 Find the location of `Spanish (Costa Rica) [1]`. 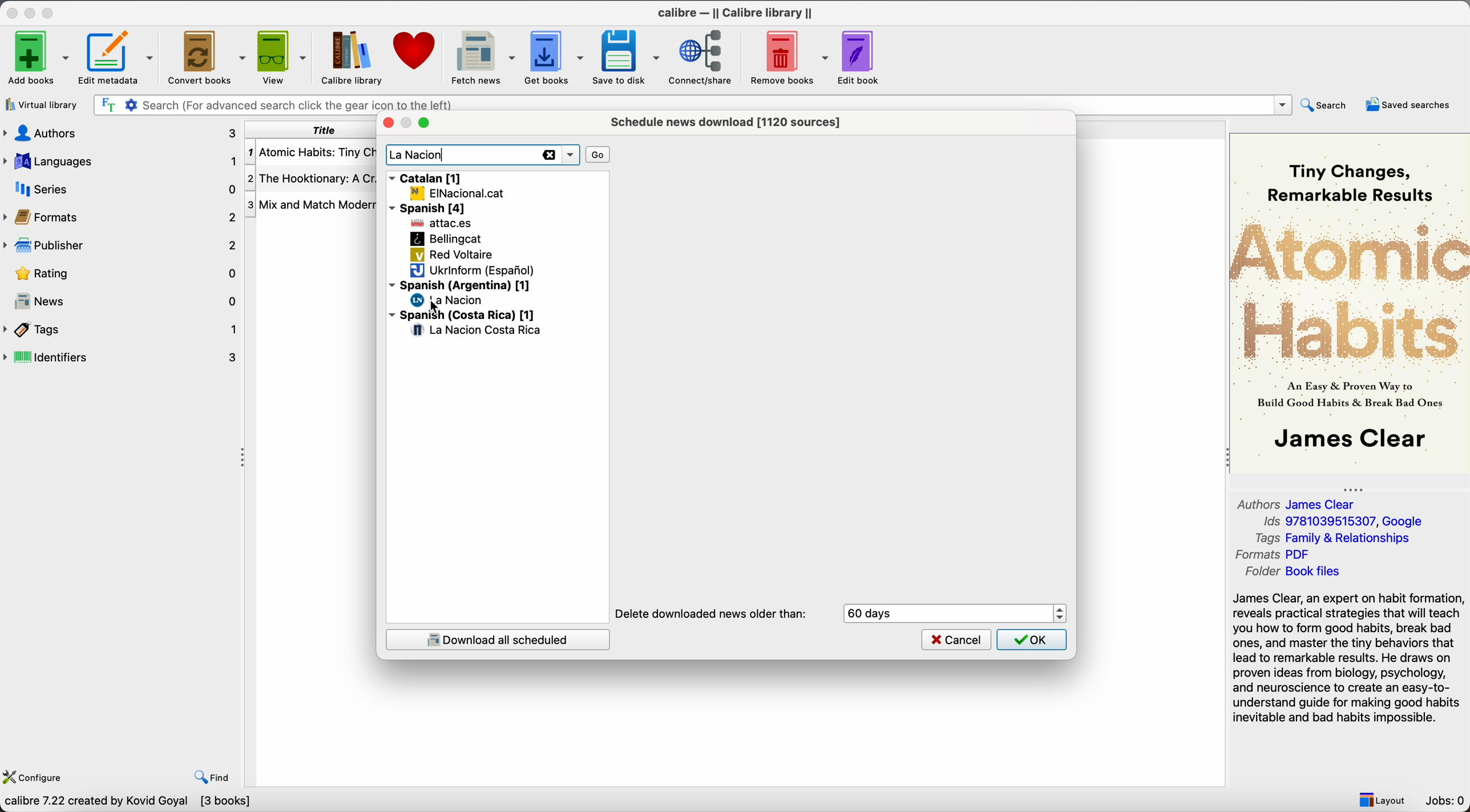

Spanish (Costa Rica) [1] is located at coordinates (462, 316).